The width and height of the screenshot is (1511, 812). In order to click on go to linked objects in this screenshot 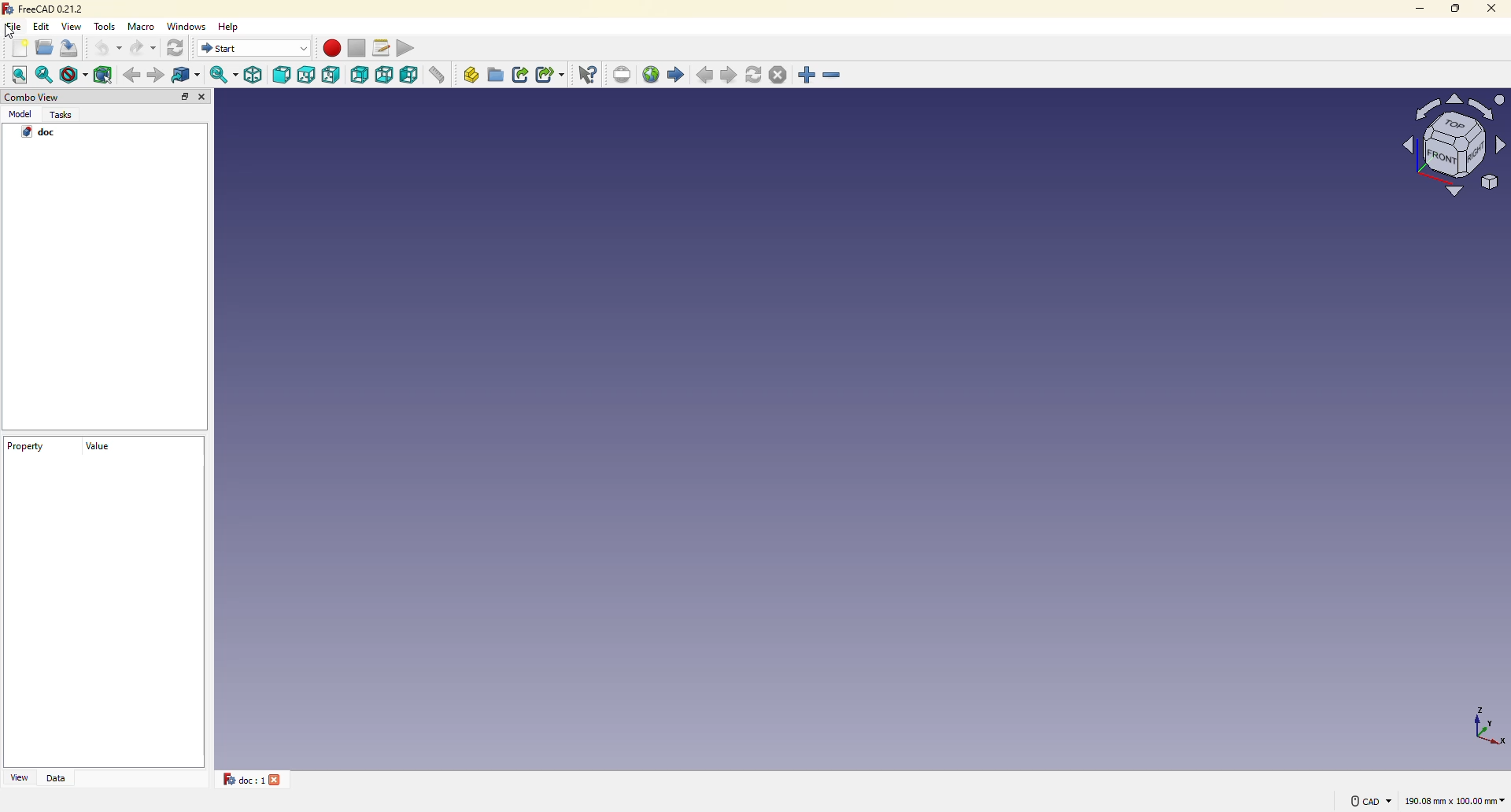, I will do `click(190, 76)`.